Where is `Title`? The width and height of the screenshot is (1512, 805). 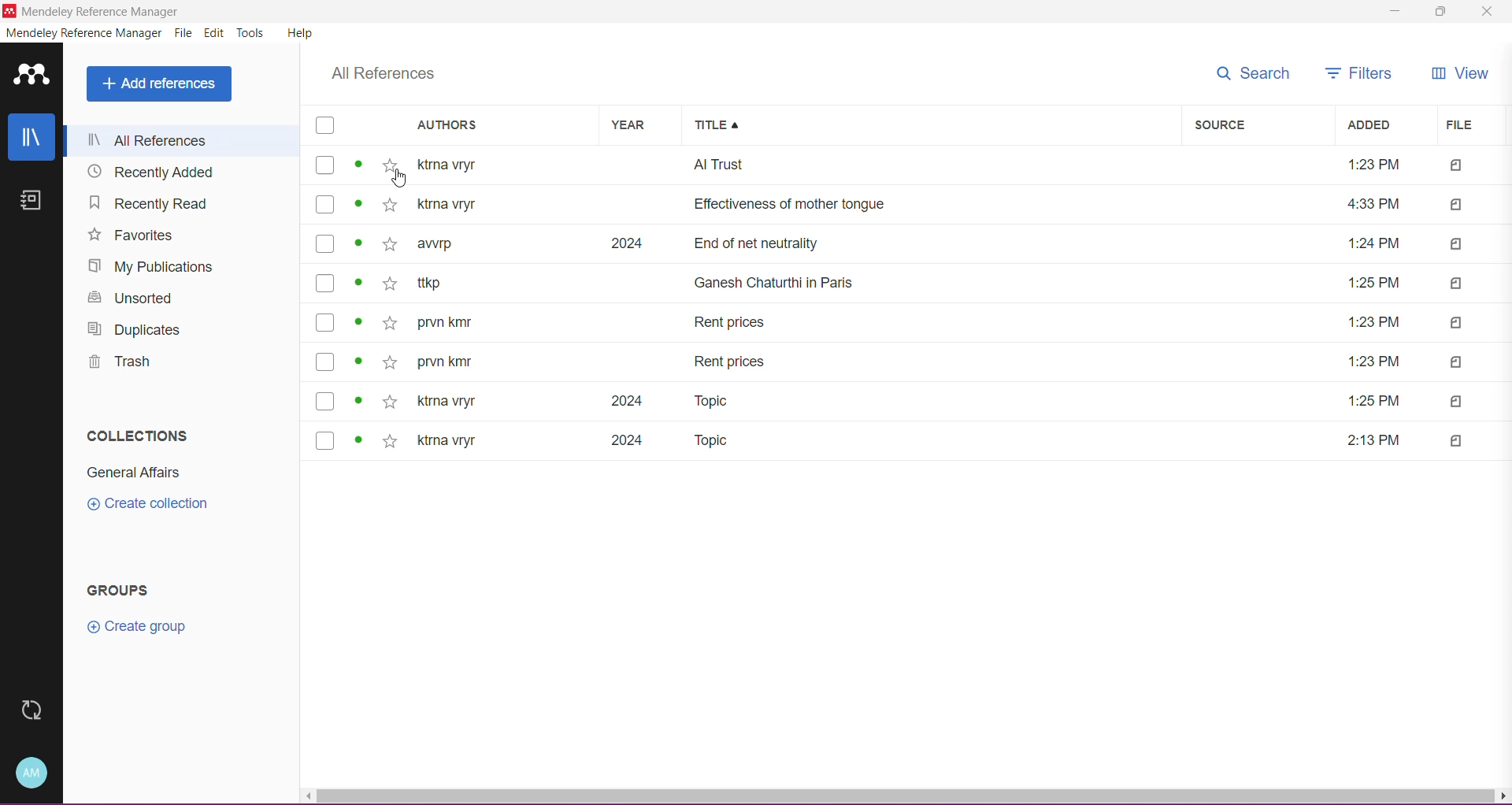
Title is located at coordinates (932, 126).